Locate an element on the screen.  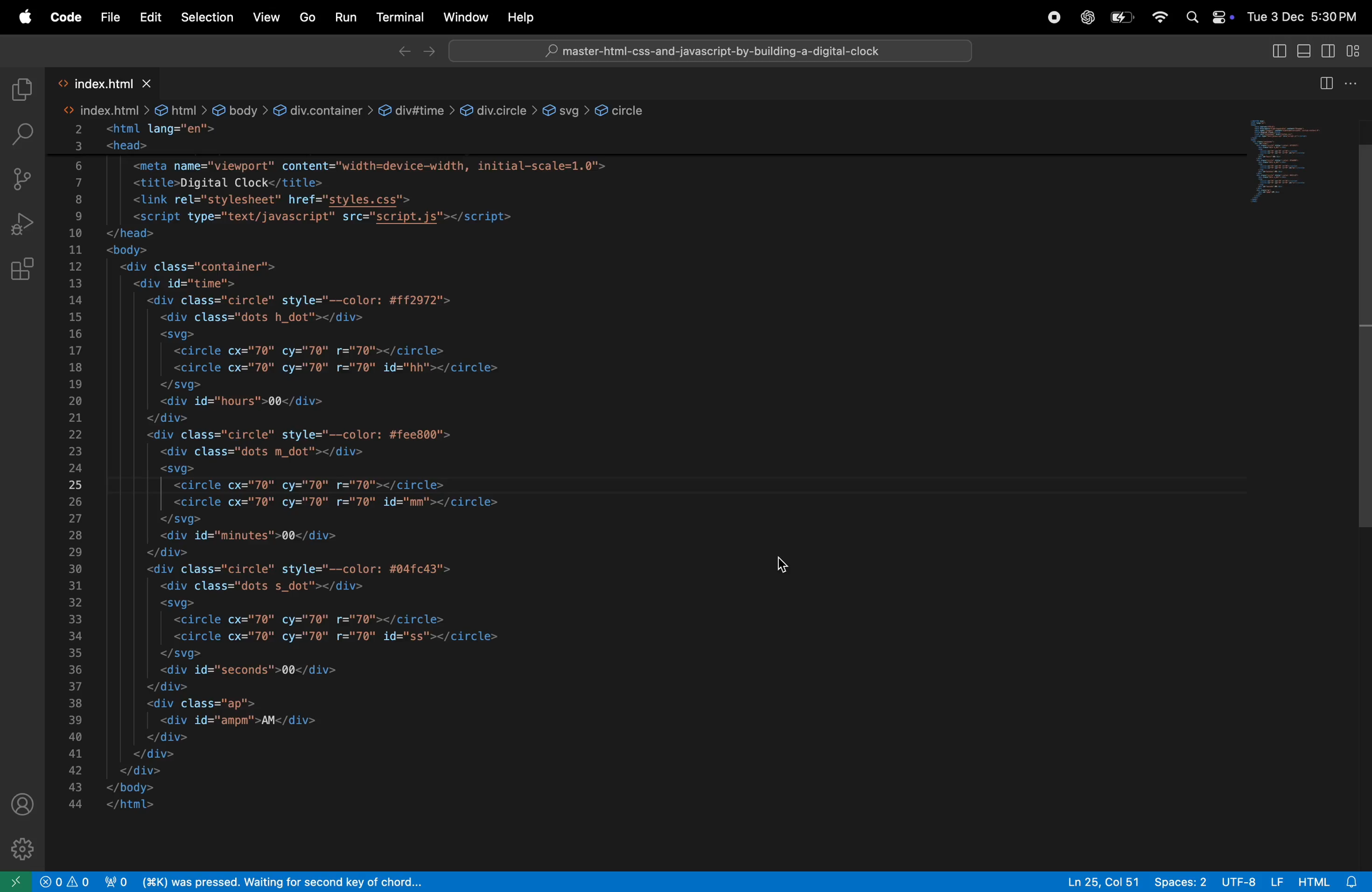
terminal is located at coordinates (400, 18).